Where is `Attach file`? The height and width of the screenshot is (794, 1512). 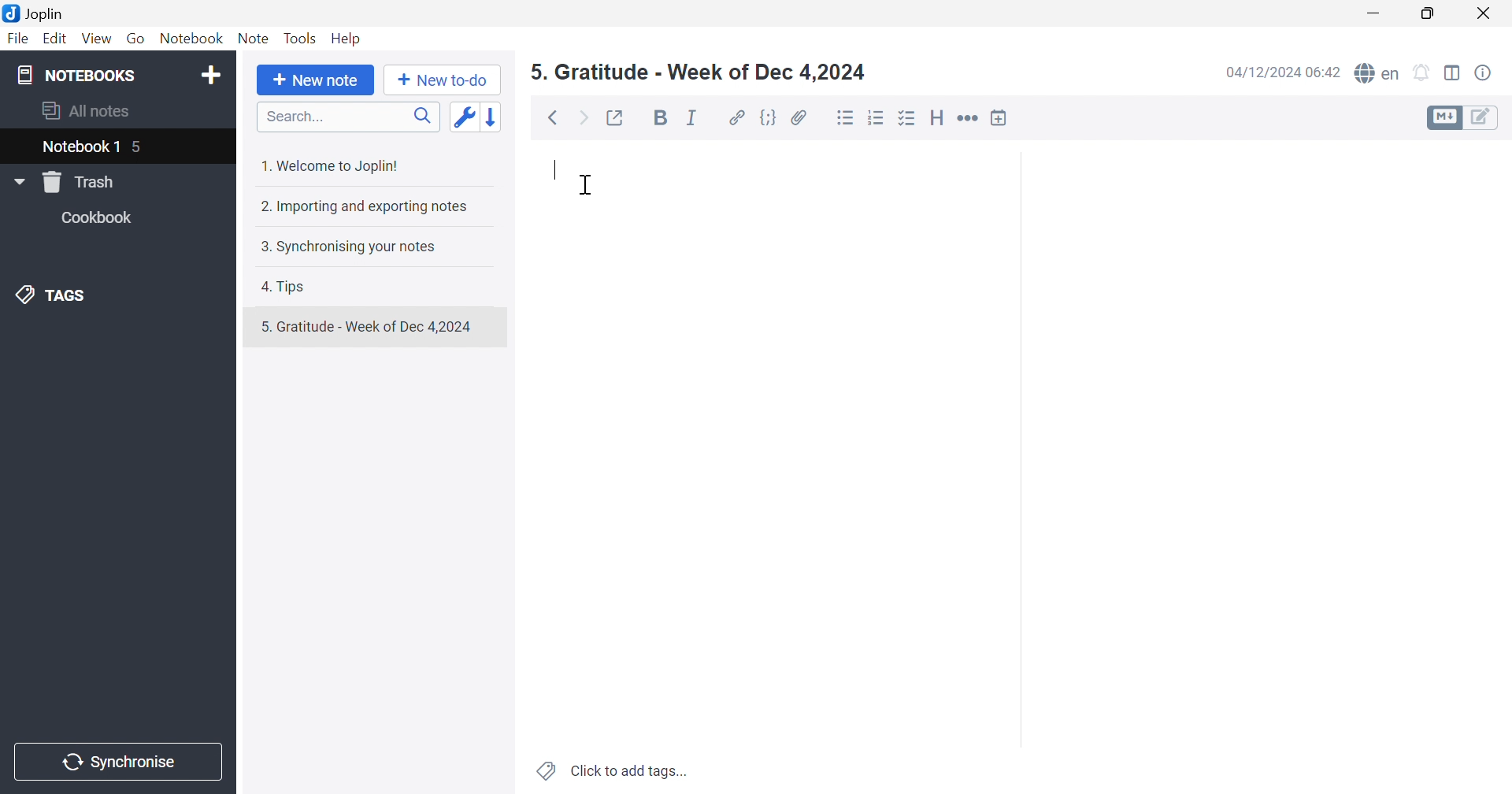
Attach file is located at coordinates (799, 117).